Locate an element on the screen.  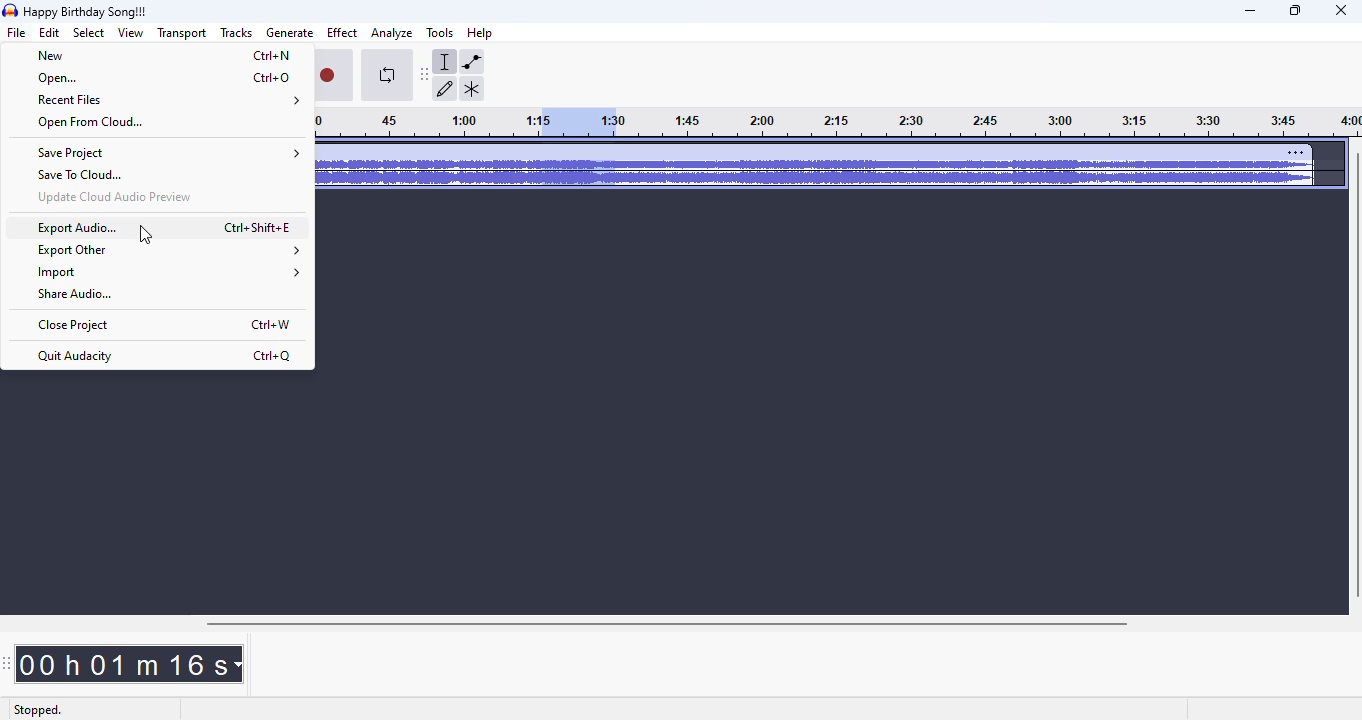
export other is located at coordinates (169, 250).